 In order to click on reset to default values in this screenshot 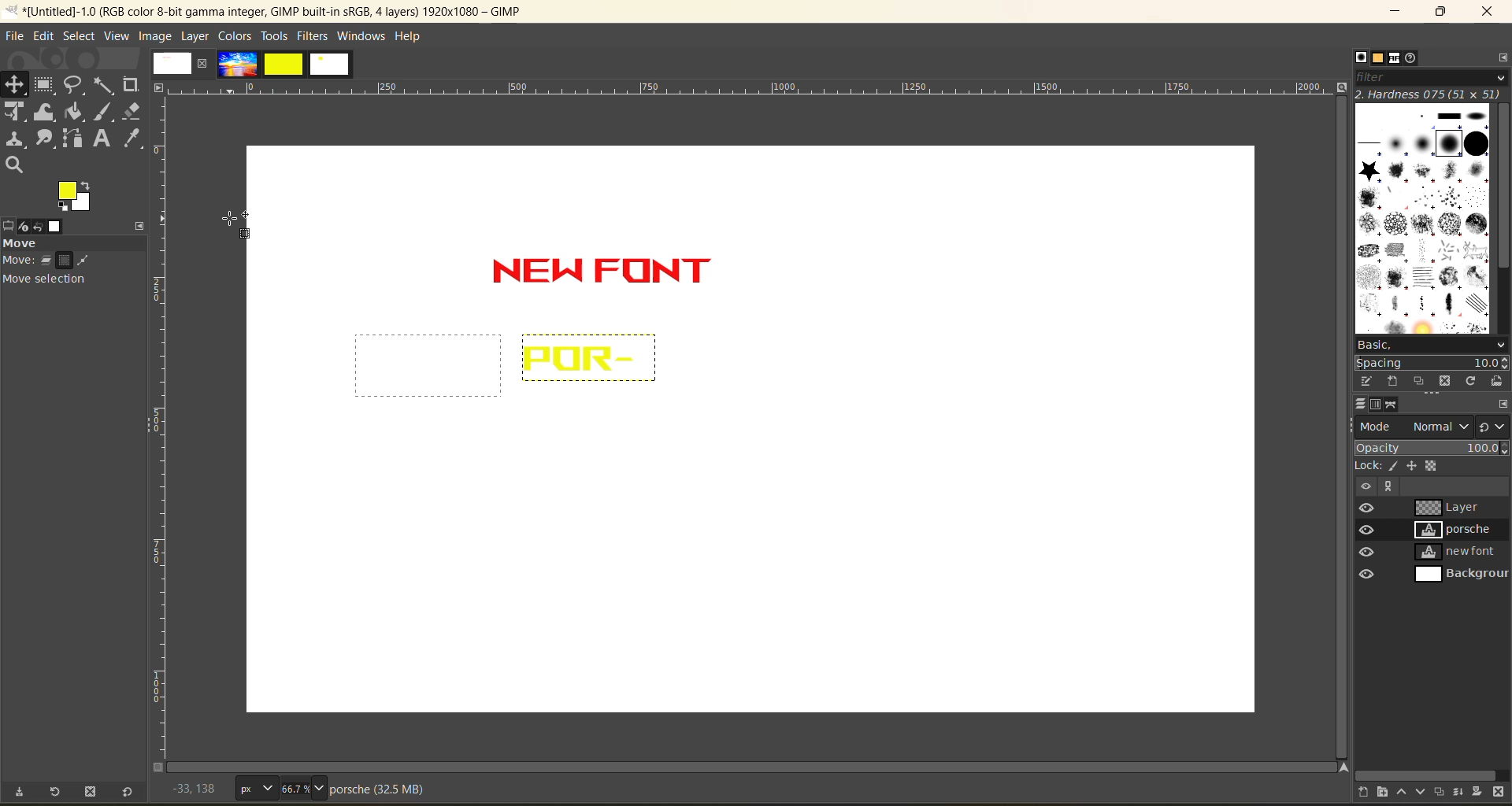, I will do `click(128, 793)`.